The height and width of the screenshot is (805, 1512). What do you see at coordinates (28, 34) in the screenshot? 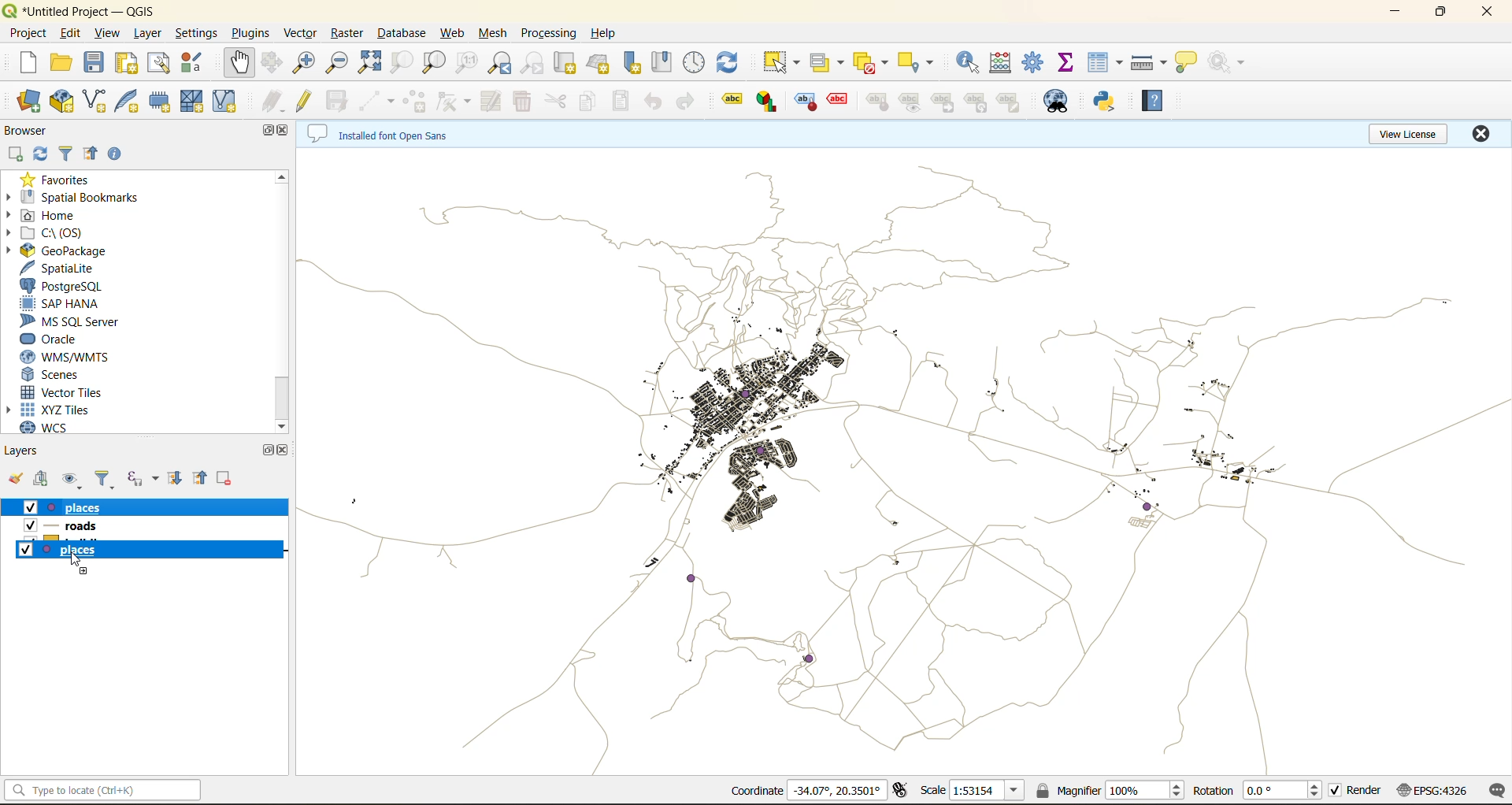
I see `project` at bounding box center [28, 34].